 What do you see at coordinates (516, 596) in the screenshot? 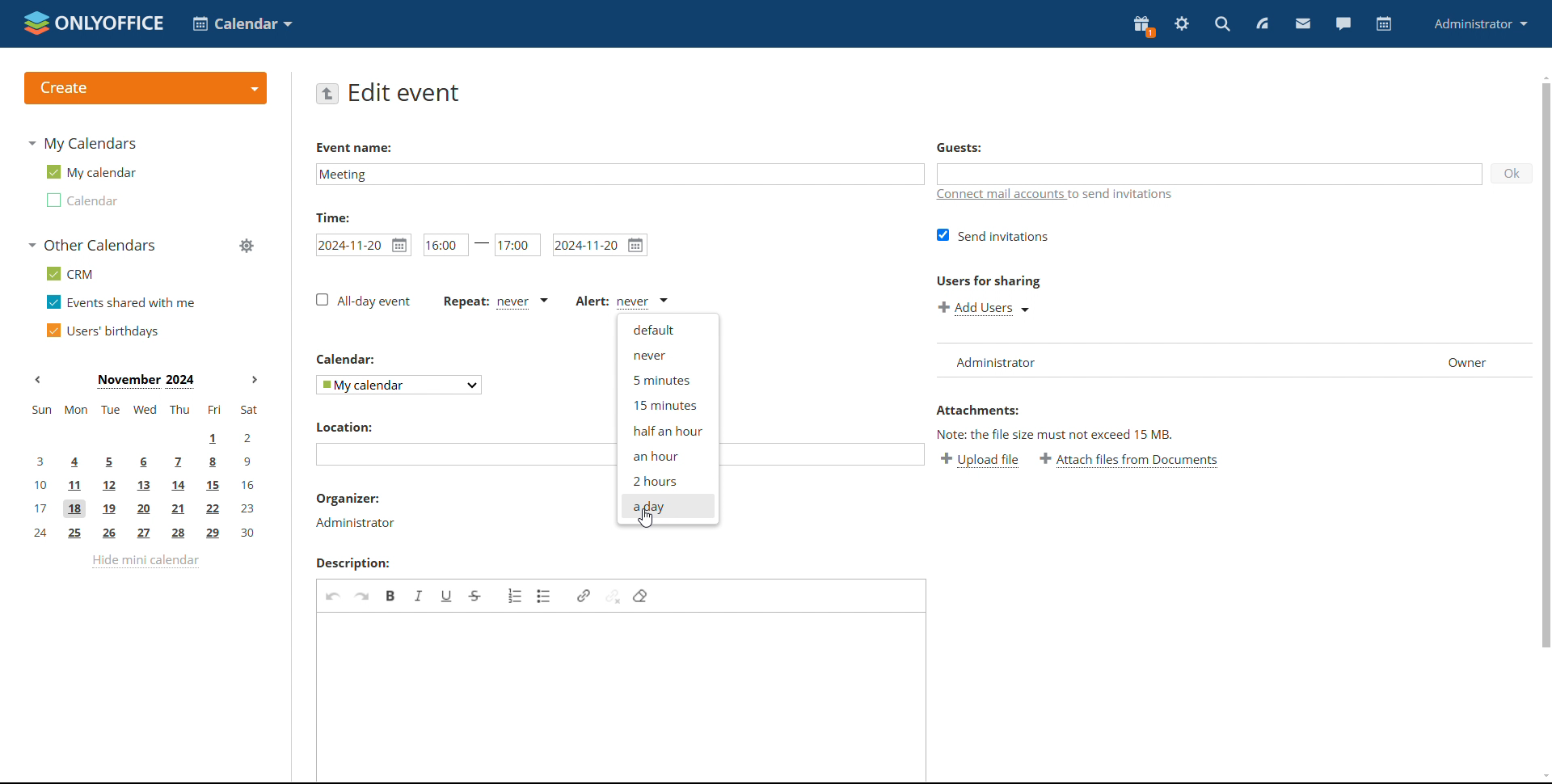
I see `insert/remove numbered list` at bounding box center [516, 596].